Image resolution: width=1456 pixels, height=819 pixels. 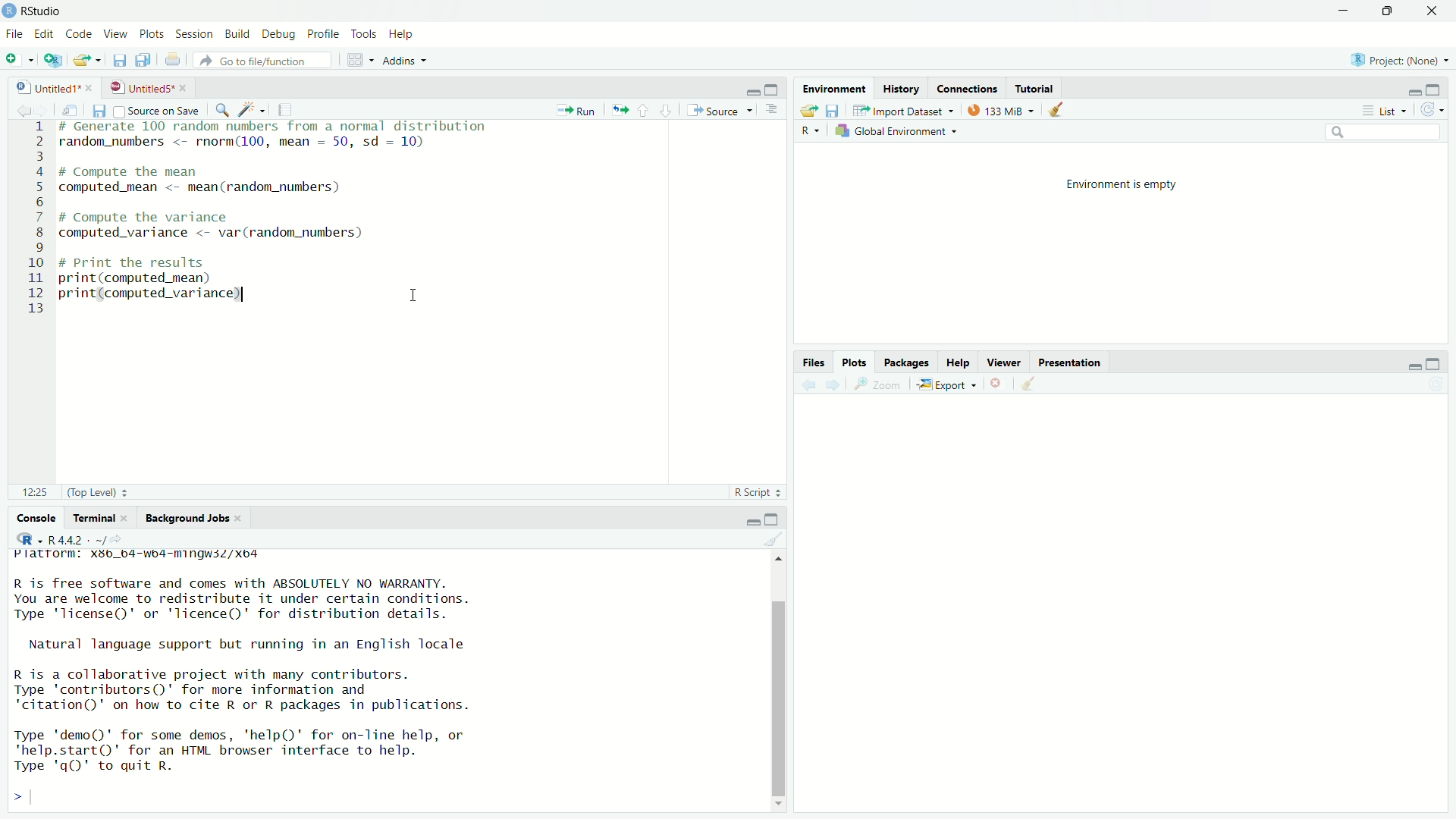 What do you see at coordinates (252, 690) in the screenshot?
I see `R is a collaborative project with many contributors.
Type 'contributors()' for more information and
"citation" on how to cite R or R packages in publications.` at bounding box center [252, 690].